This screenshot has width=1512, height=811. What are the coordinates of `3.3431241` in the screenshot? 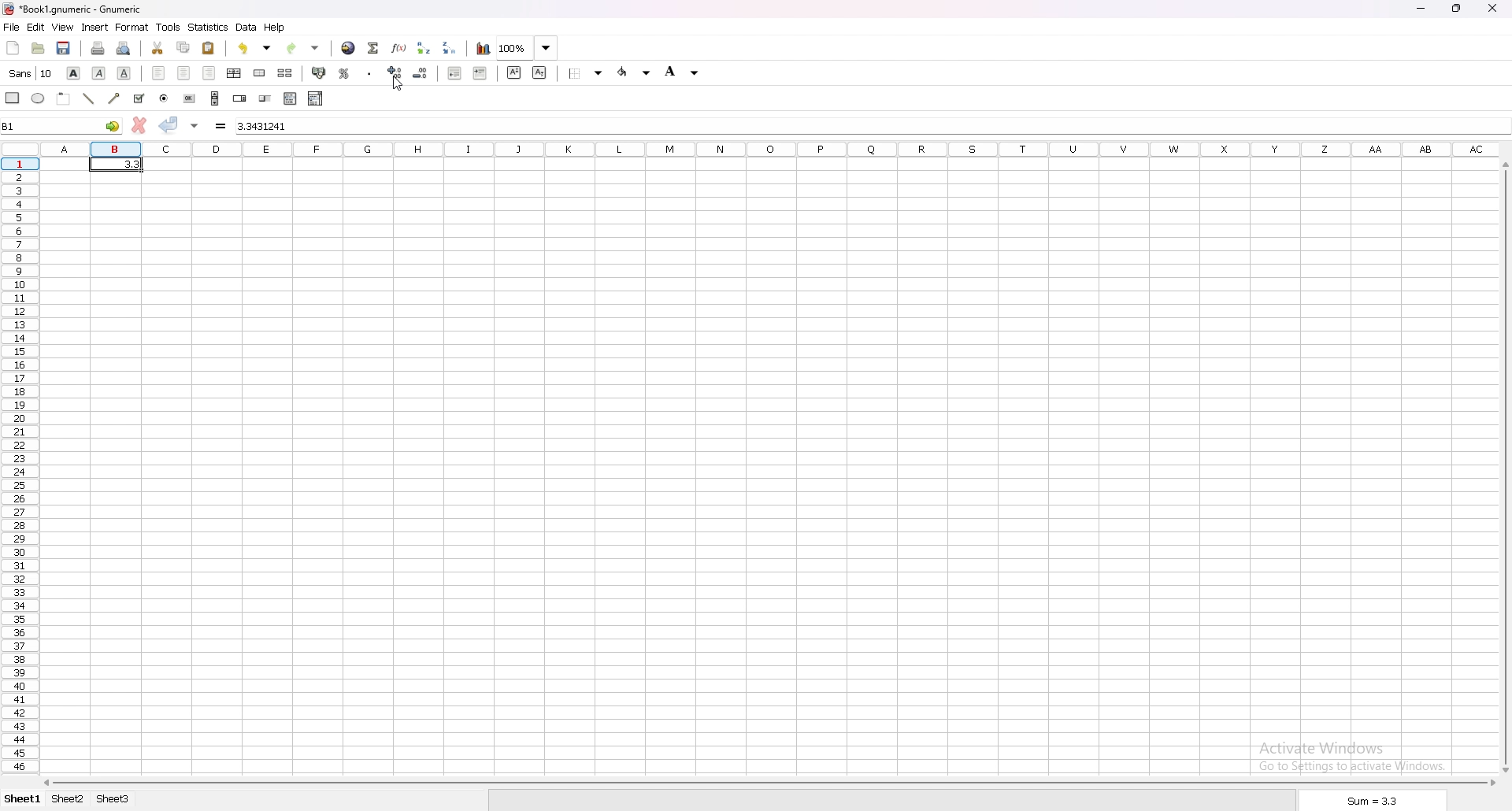 It's located at (266, 126).